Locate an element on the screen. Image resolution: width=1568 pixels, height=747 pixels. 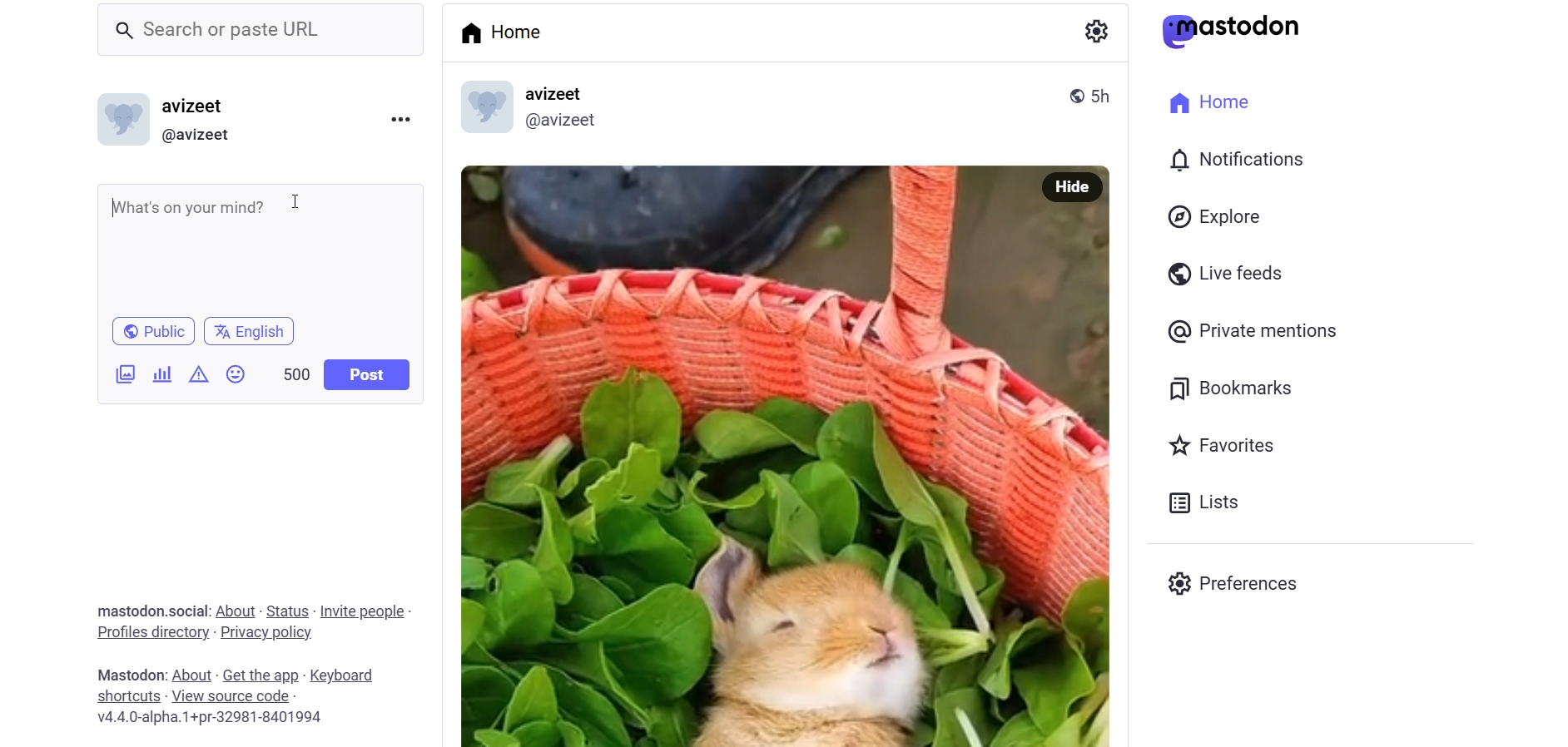
private mention is located at coordinates (1260, 332).